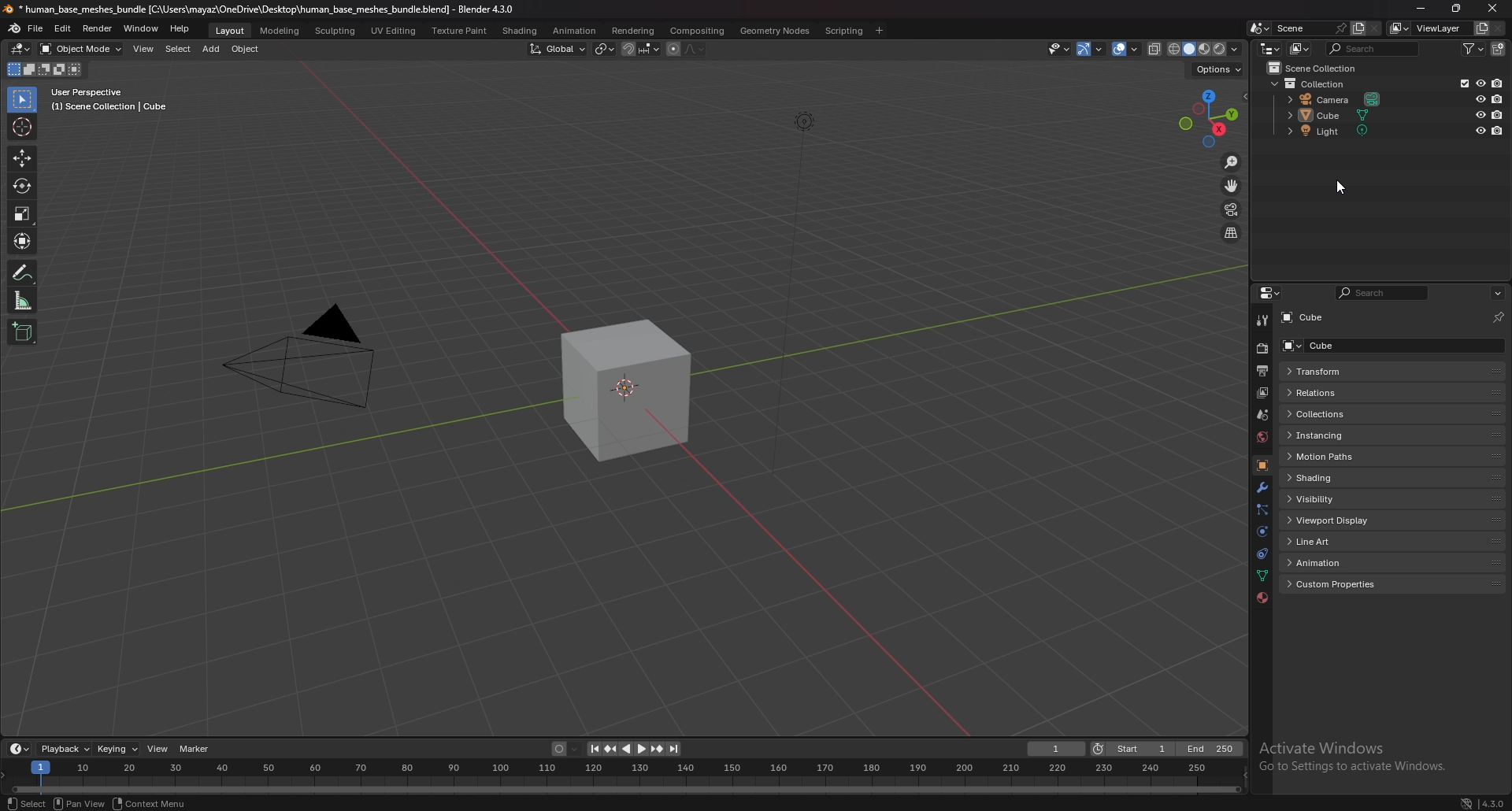 Image resolution: width=1512 pixels, height=811 pixels. What do you see at coordinates (1480, 98) in the screenshot?
I see `hide in viewport` at bounding box center [1480, 98].